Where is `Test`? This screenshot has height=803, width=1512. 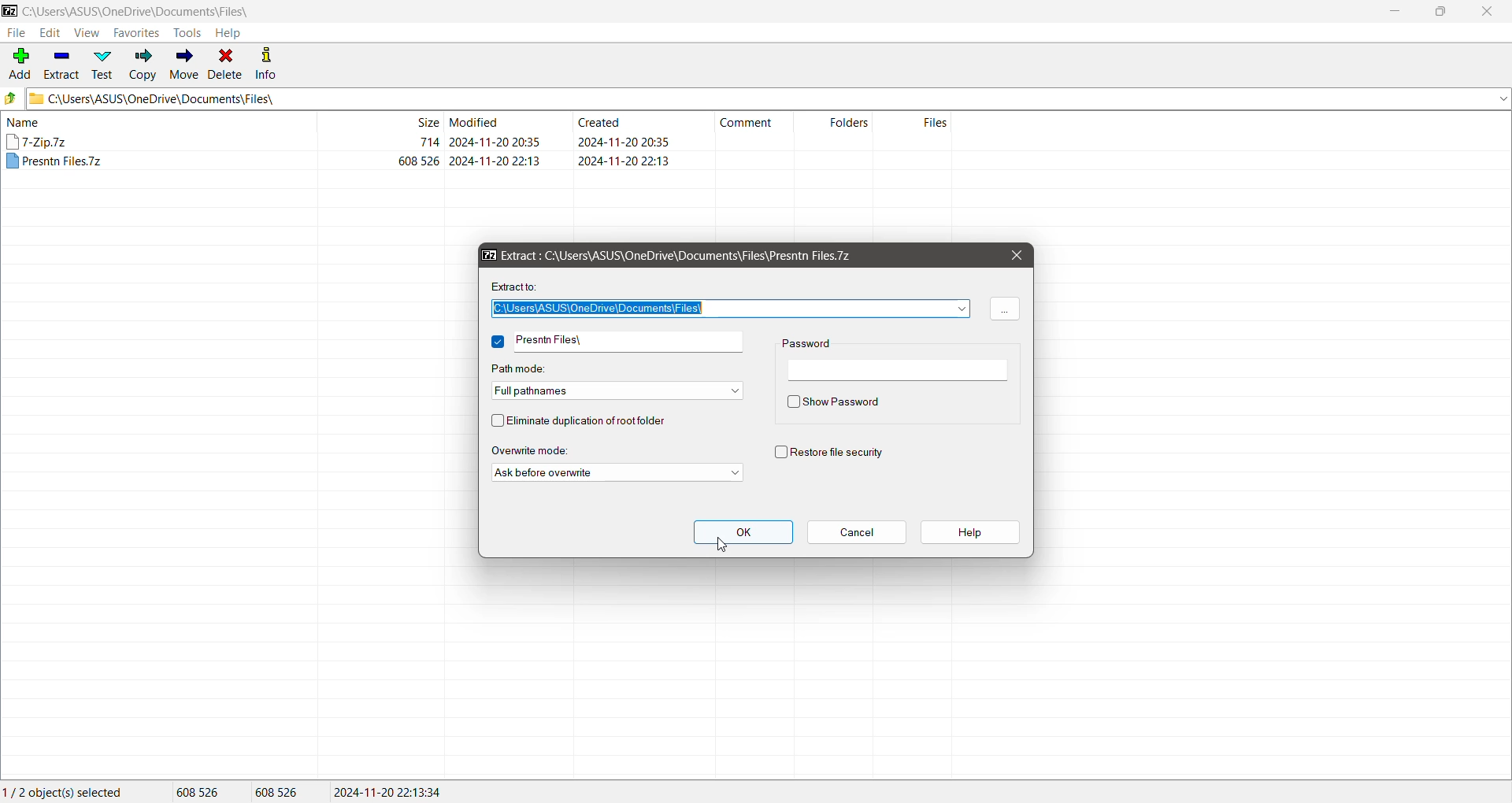
Test is located at coordinates (105, 65).